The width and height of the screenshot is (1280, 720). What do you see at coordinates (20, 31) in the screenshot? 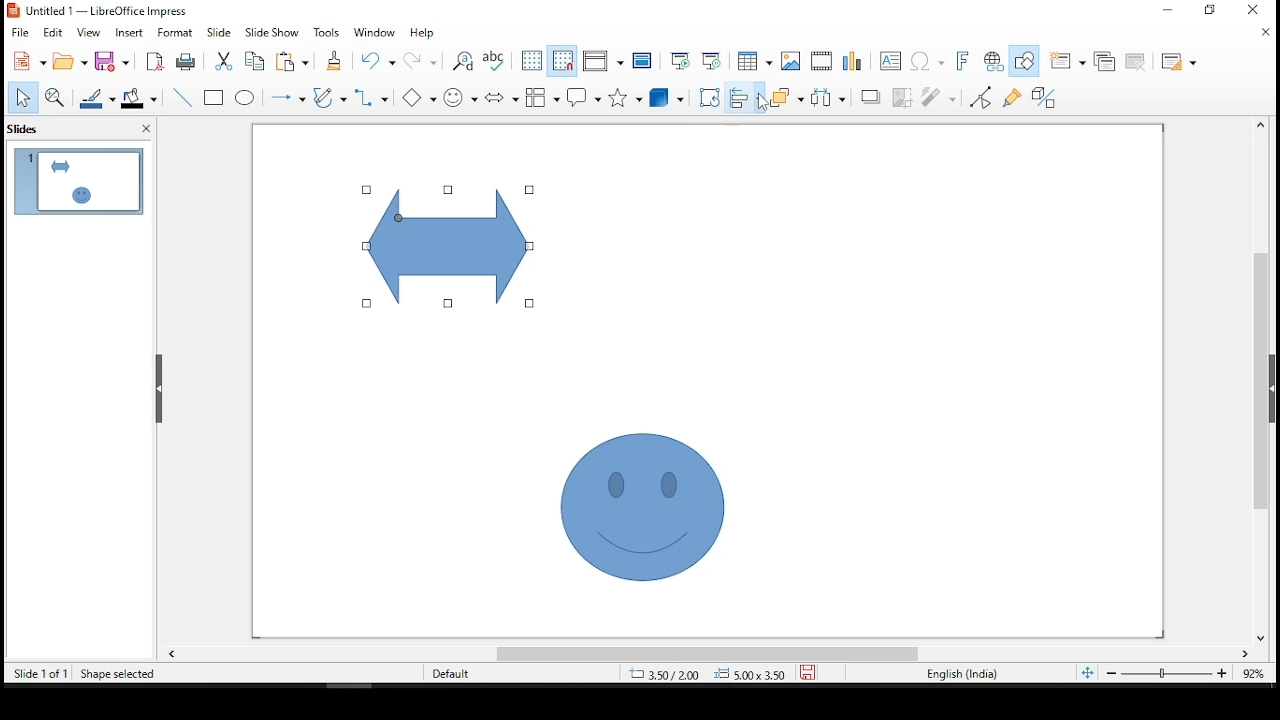
I see `file` at bounding box center [20, 31].